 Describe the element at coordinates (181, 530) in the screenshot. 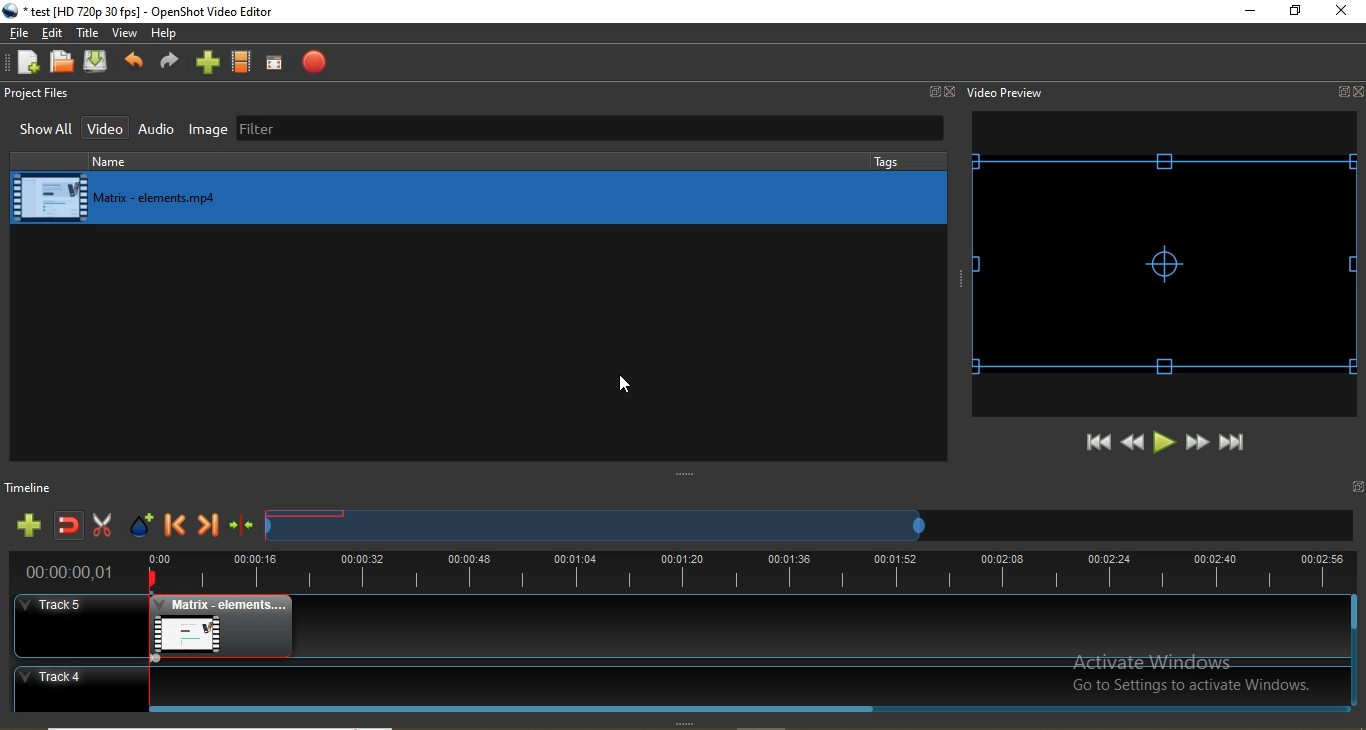

I see `Previous marker` at that location.